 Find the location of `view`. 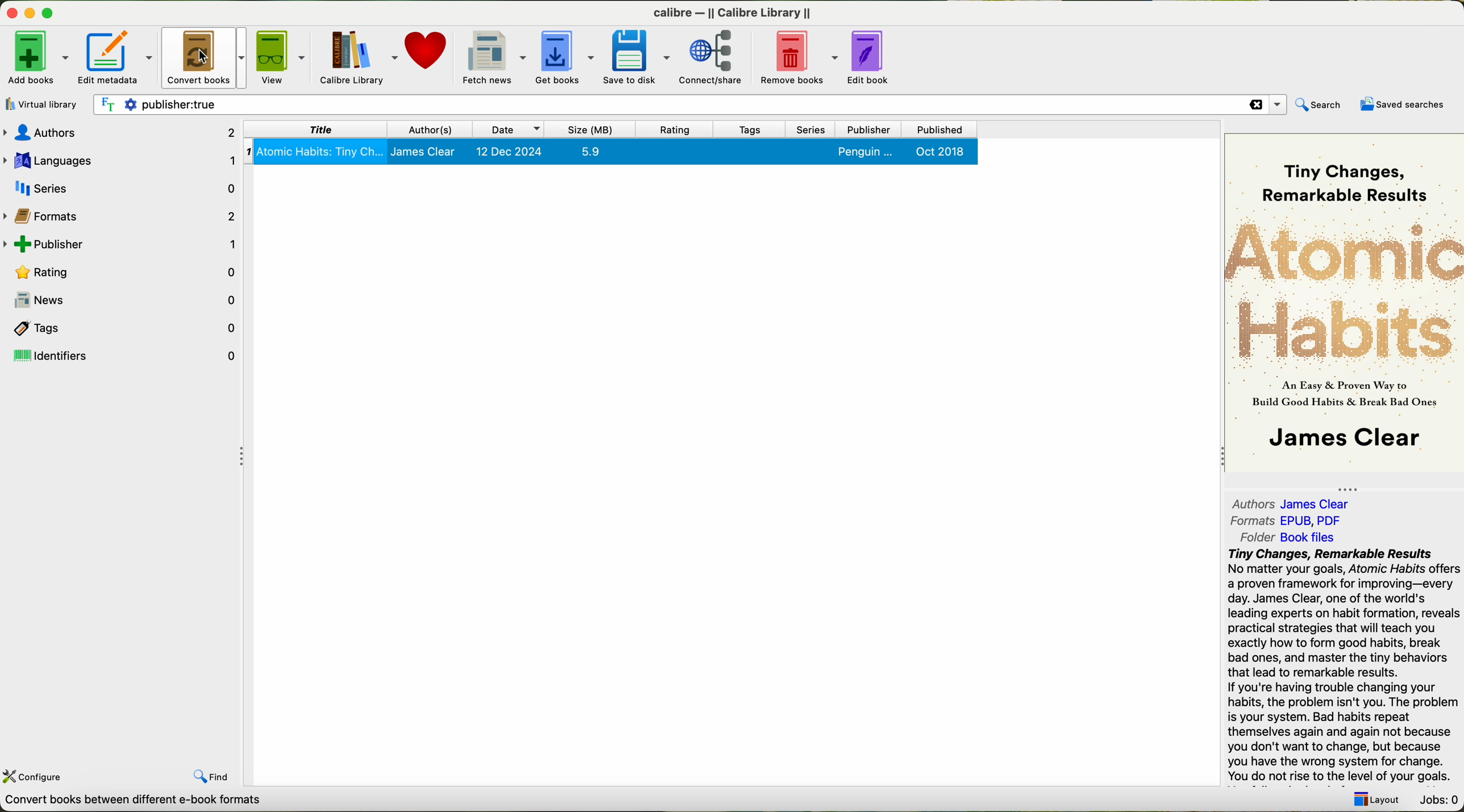

view is located at coordinates (282, 56).